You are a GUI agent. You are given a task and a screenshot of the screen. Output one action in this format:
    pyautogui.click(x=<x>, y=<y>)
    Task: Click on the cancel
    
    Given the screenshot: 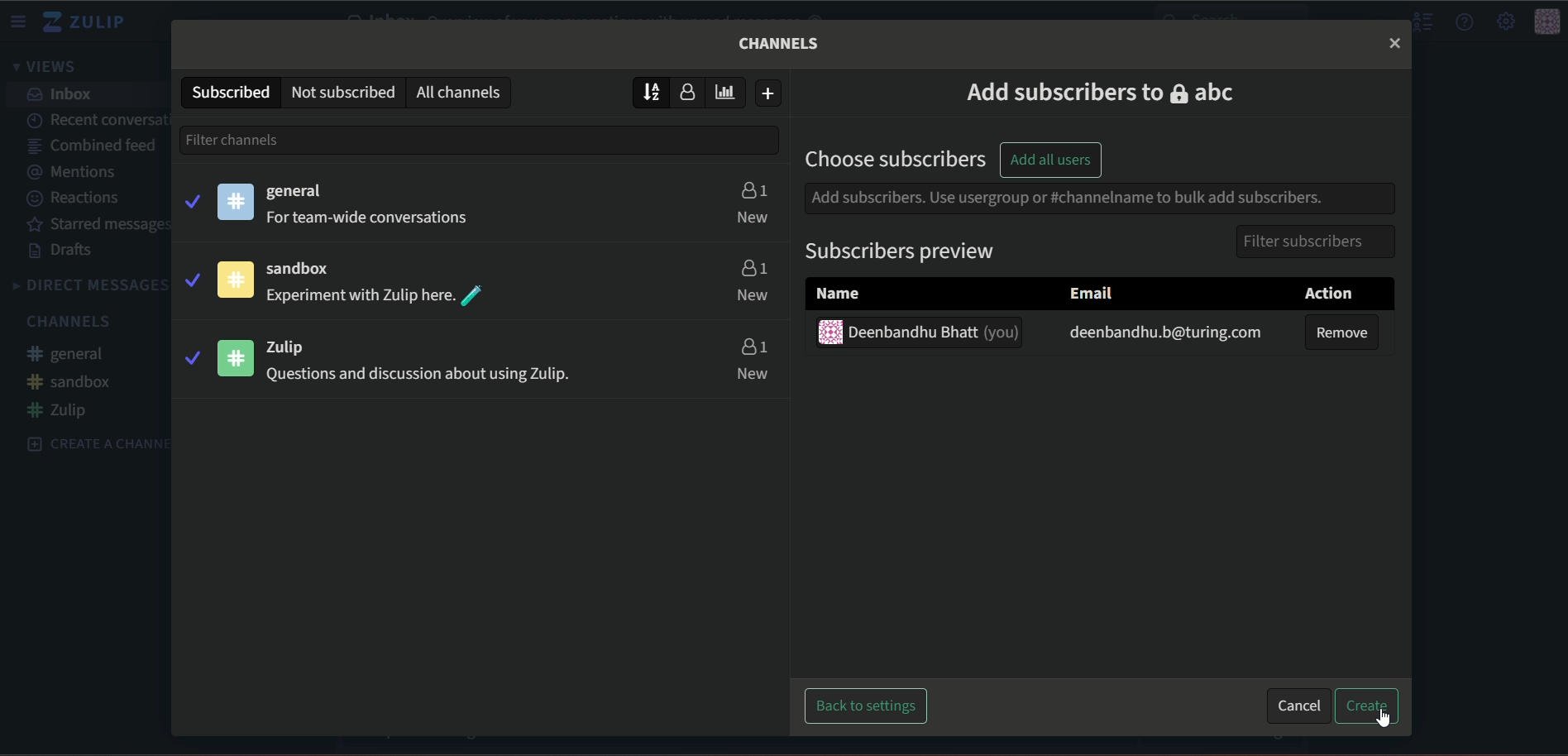 What is the action you would take?
    pyautogui.click(x=1298, y=706)
    